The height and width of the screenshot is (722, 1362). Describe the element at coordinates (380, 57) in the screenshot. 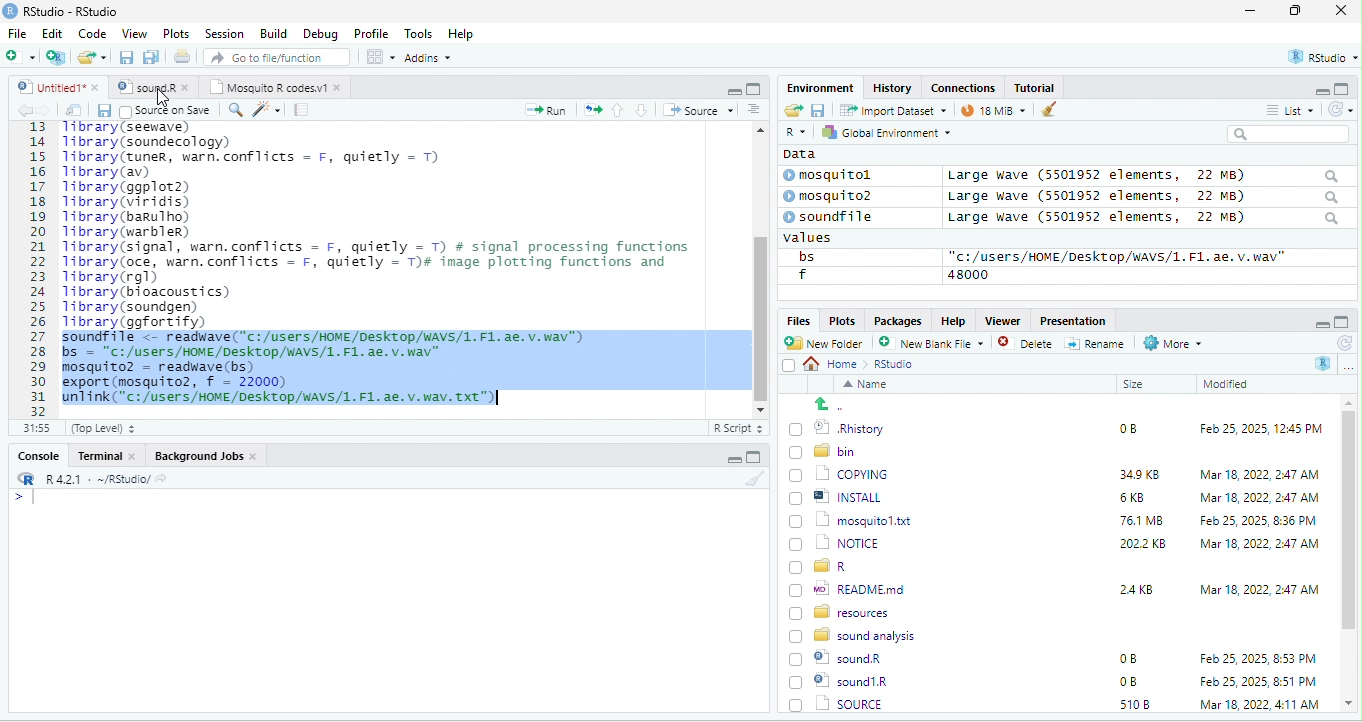

I see `view` at that location.